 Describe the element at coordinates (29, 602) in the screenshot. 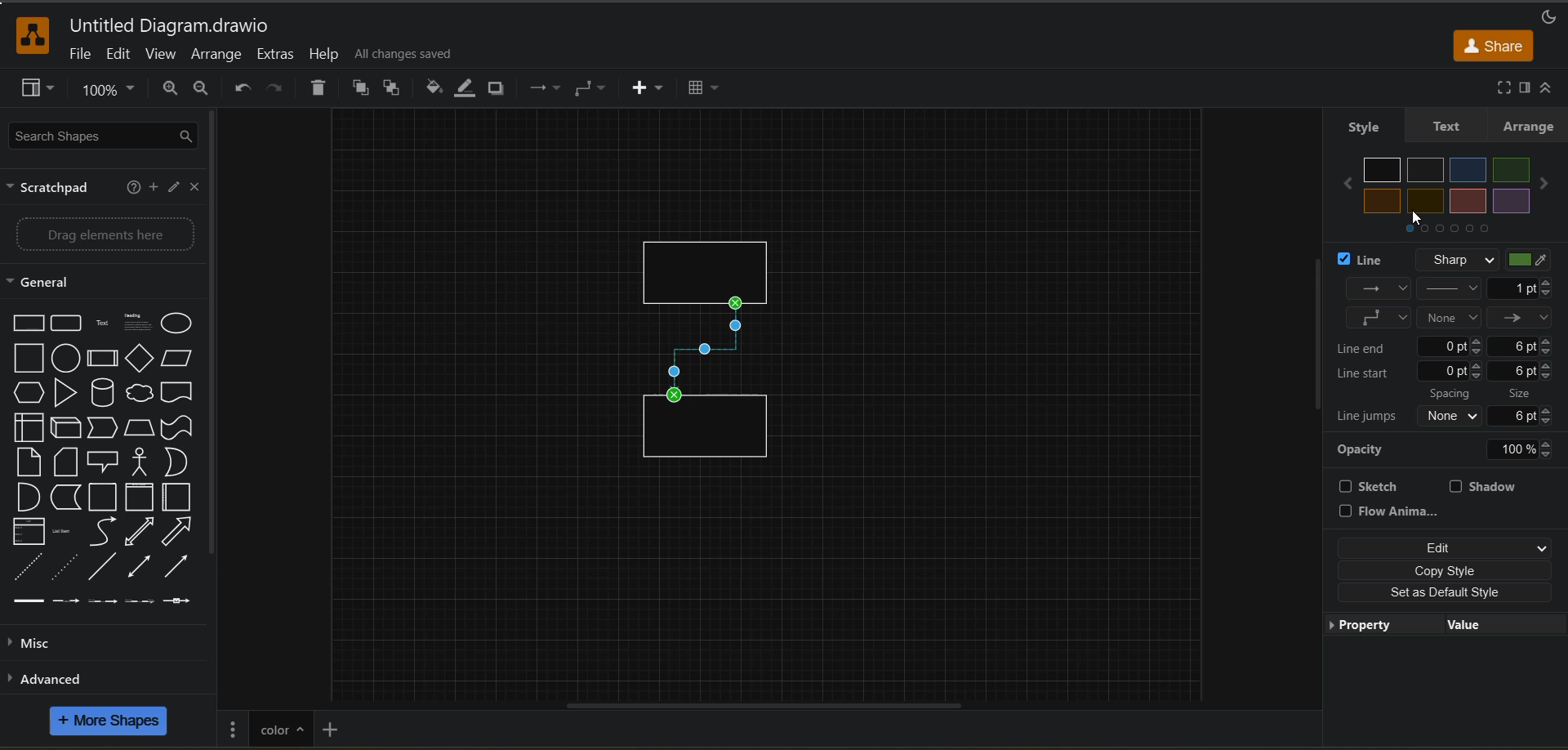

I see `Link` at that location.